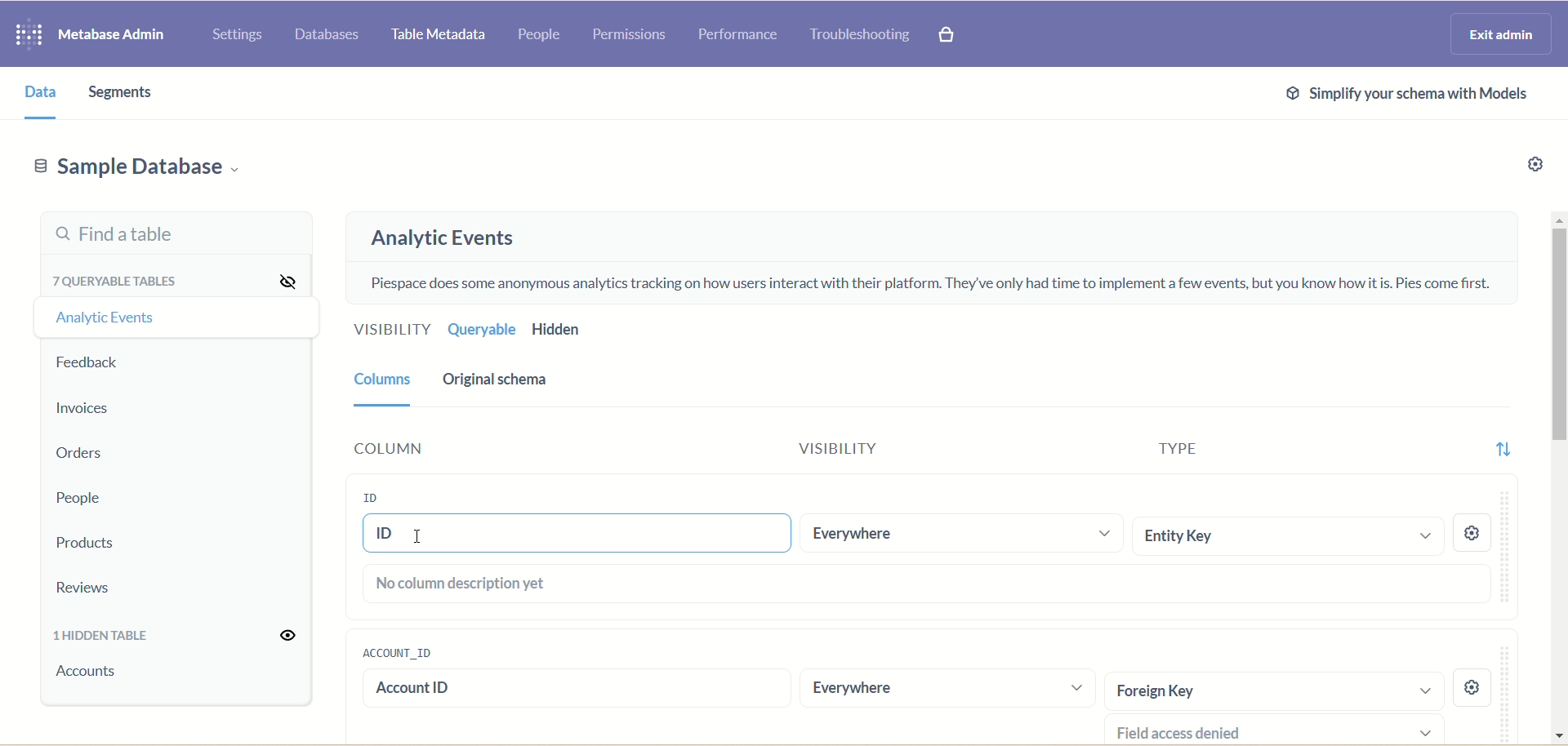 This screenshot has width=1568, height=746. What do you see at coordinates (540, 31) in the screenshot?
I see `People` at bounding box center [540, 31].